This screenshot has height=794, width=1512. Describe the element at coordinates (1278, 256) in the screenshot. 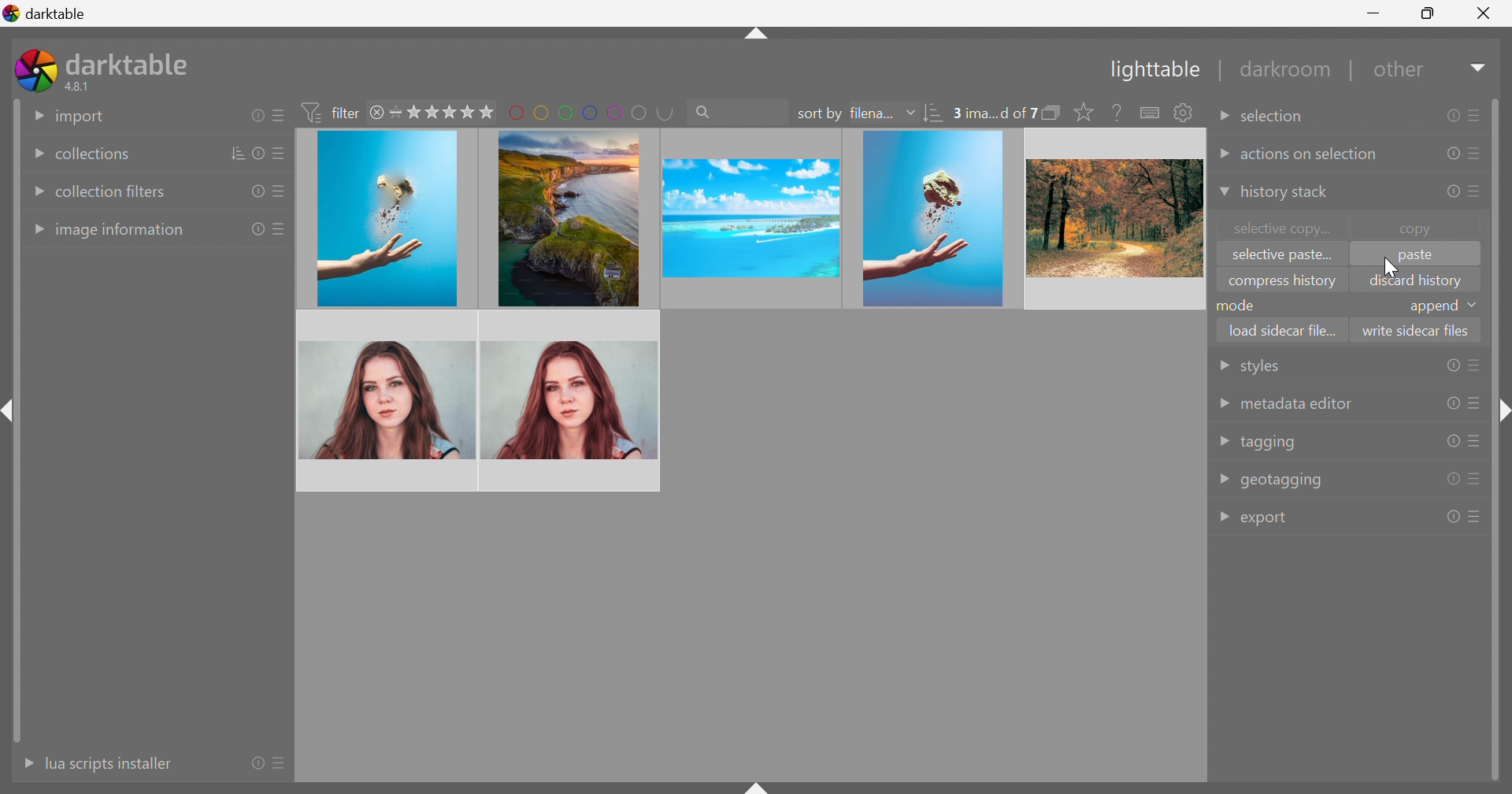

I see `selective paste...` at that location.